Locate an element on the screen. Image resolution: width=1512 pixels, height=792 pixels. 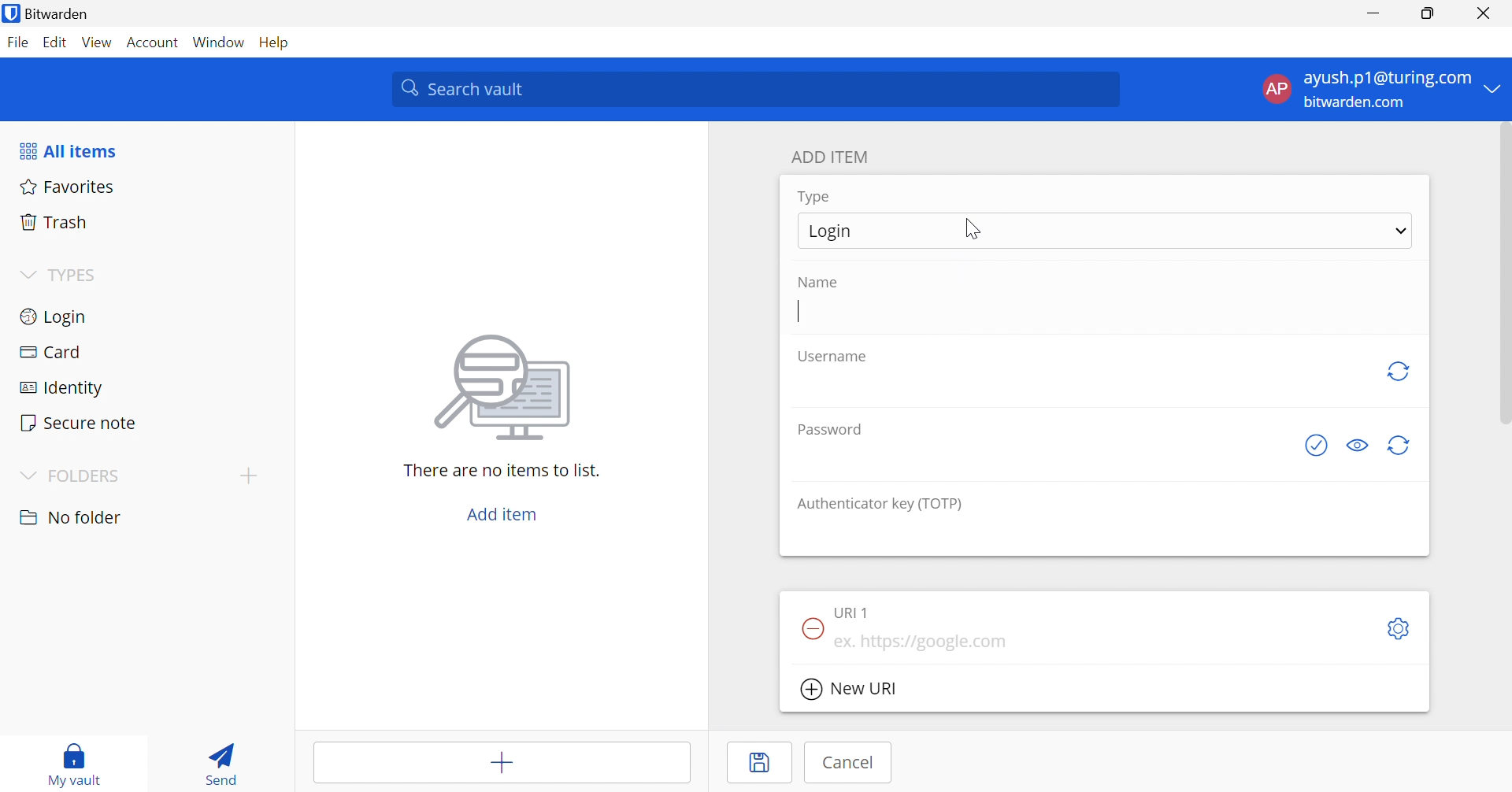
Check if password has been exposed is located at coordinates (1317, 446).